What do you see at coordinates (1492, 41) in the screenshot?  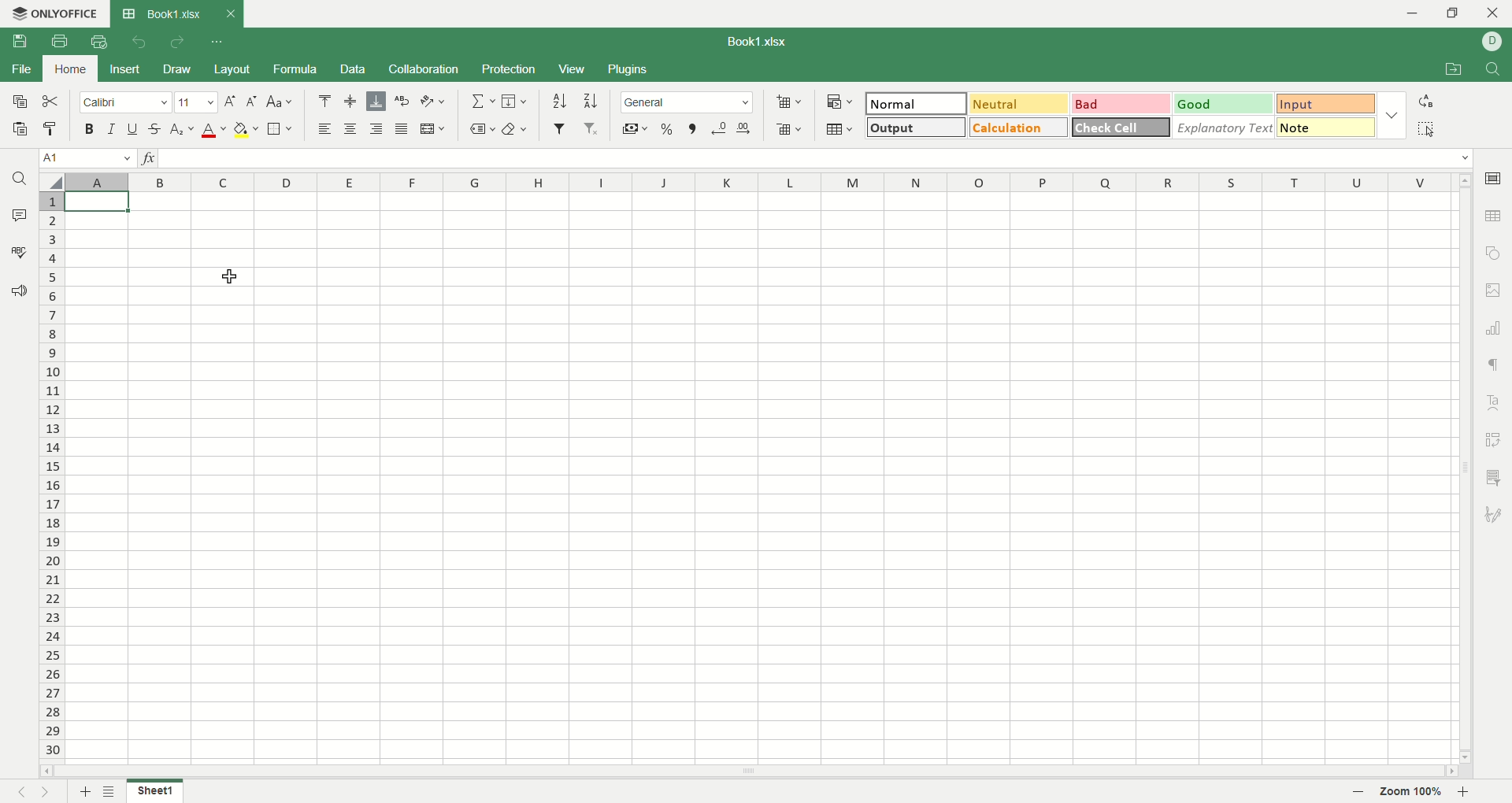 I see `account` at bounding box center [1492, 41].